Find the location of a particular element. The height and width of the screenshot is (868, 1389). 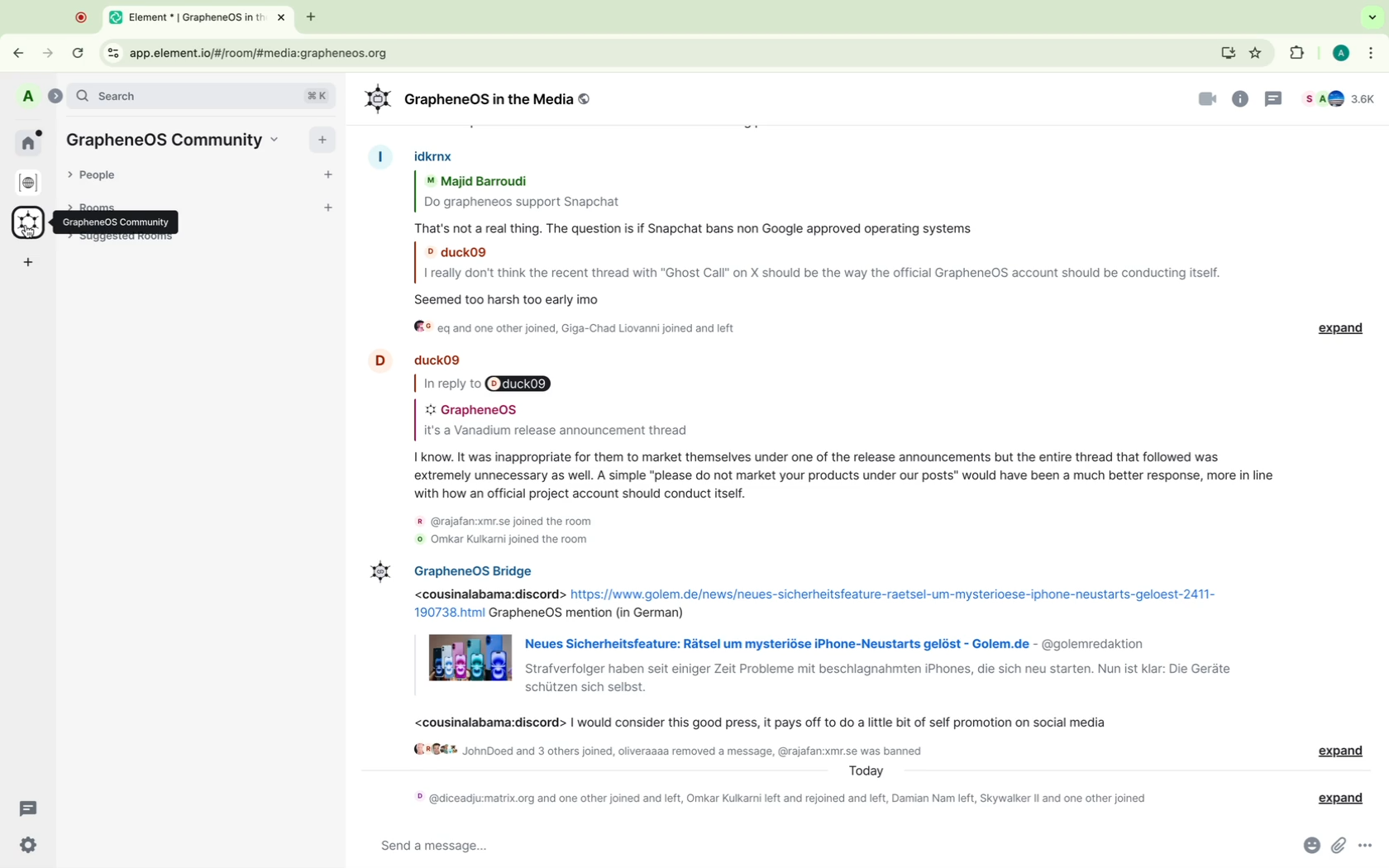

I know. it was inappropriate for them to market themselves under one of the release announcements but the entire thread that followed was extremely unnecessary as well. a simple "please do not market your products under our posts" would have been a much better response more in line with how an official project account should conduct itself is located at coordinates (844, 475).